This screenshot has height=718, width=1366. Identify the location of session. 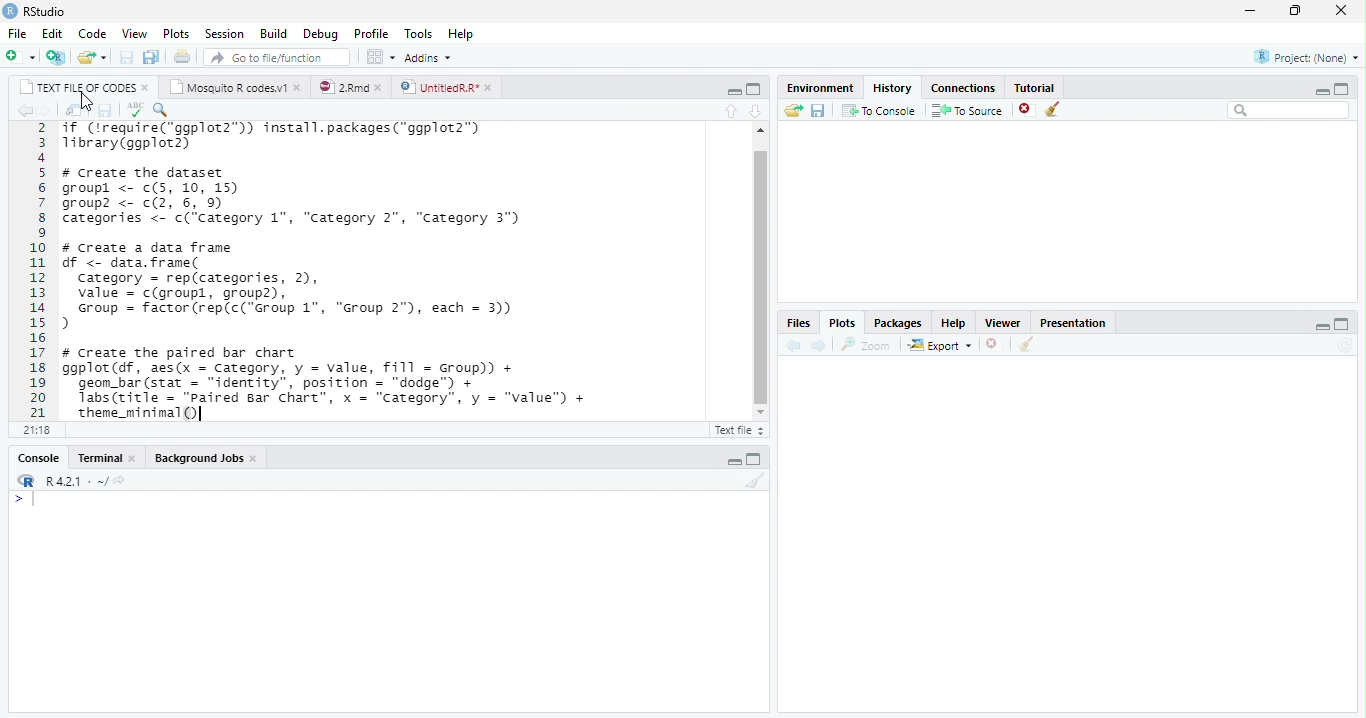
(222, 33).